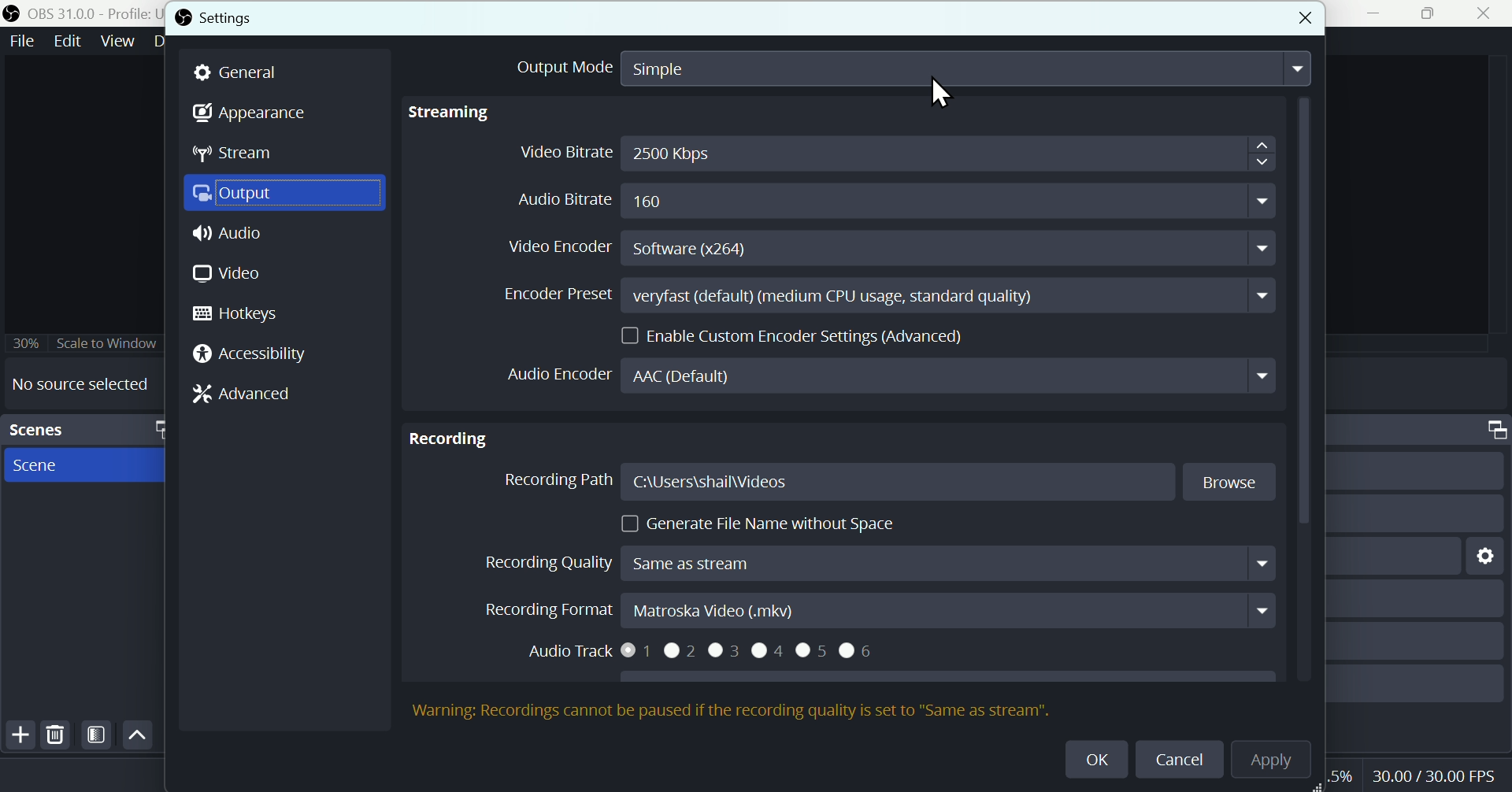 This screenshot has height=792, width=1512. What do you see at coordinates (719, 655) in the screenshot?
I see `Audio track` at bounding box center [719, 655].